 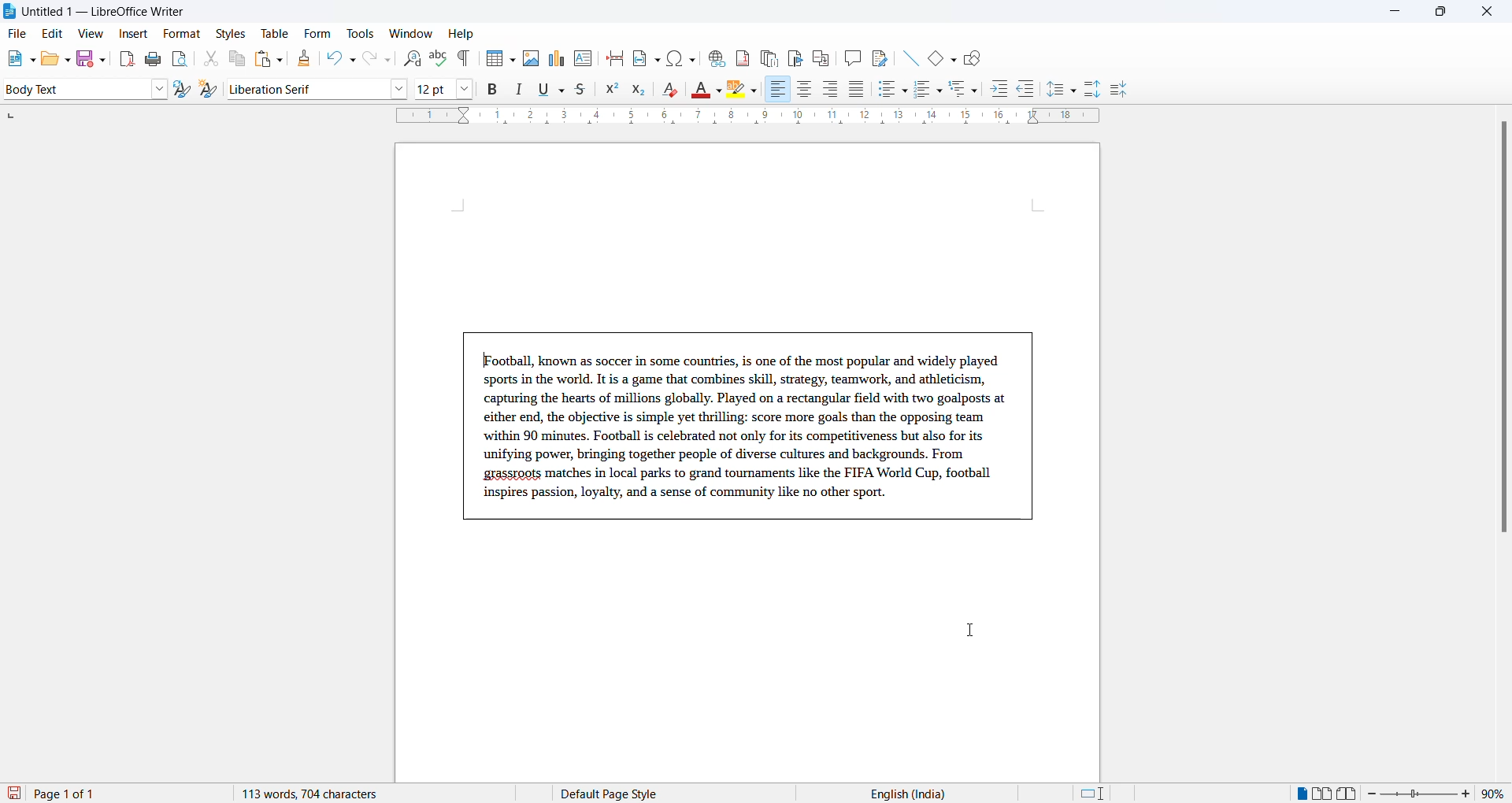 I want to click on styling dropdown button, so click(x=159, y=90).